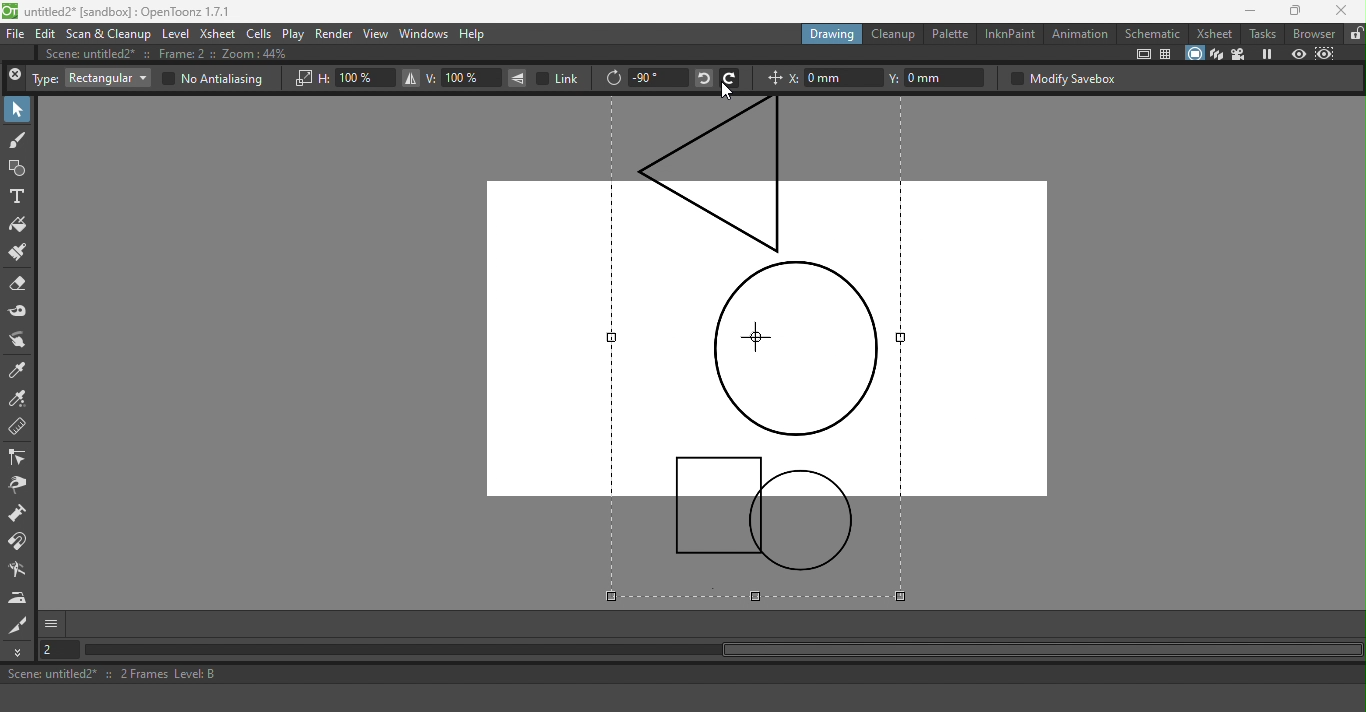 The height and width of the screenshot is (712, 1366). Describe the element at coordinates (1062, 78) in the screenshot. I see `Modify savebox` at that location.